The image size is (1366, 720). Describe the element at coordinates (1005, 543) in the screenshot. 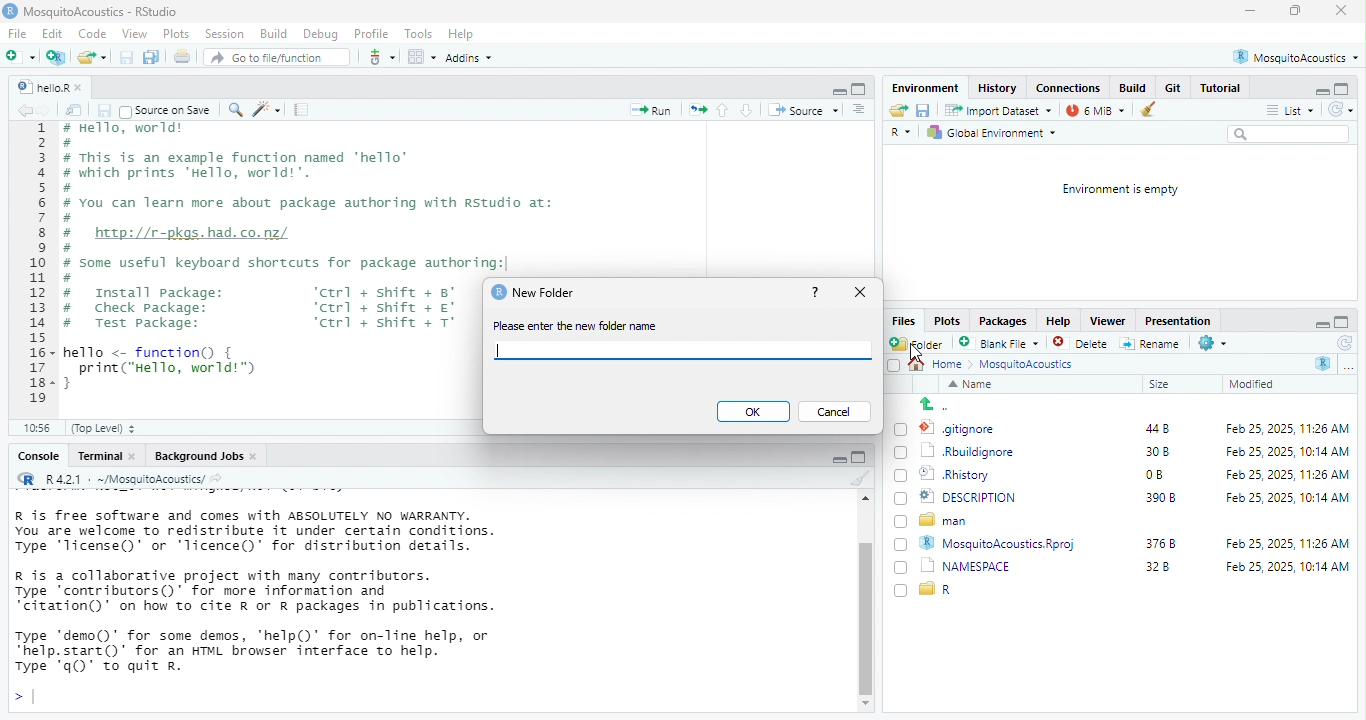

I see ` MosquitoAcoustics.Rproj` at that location.